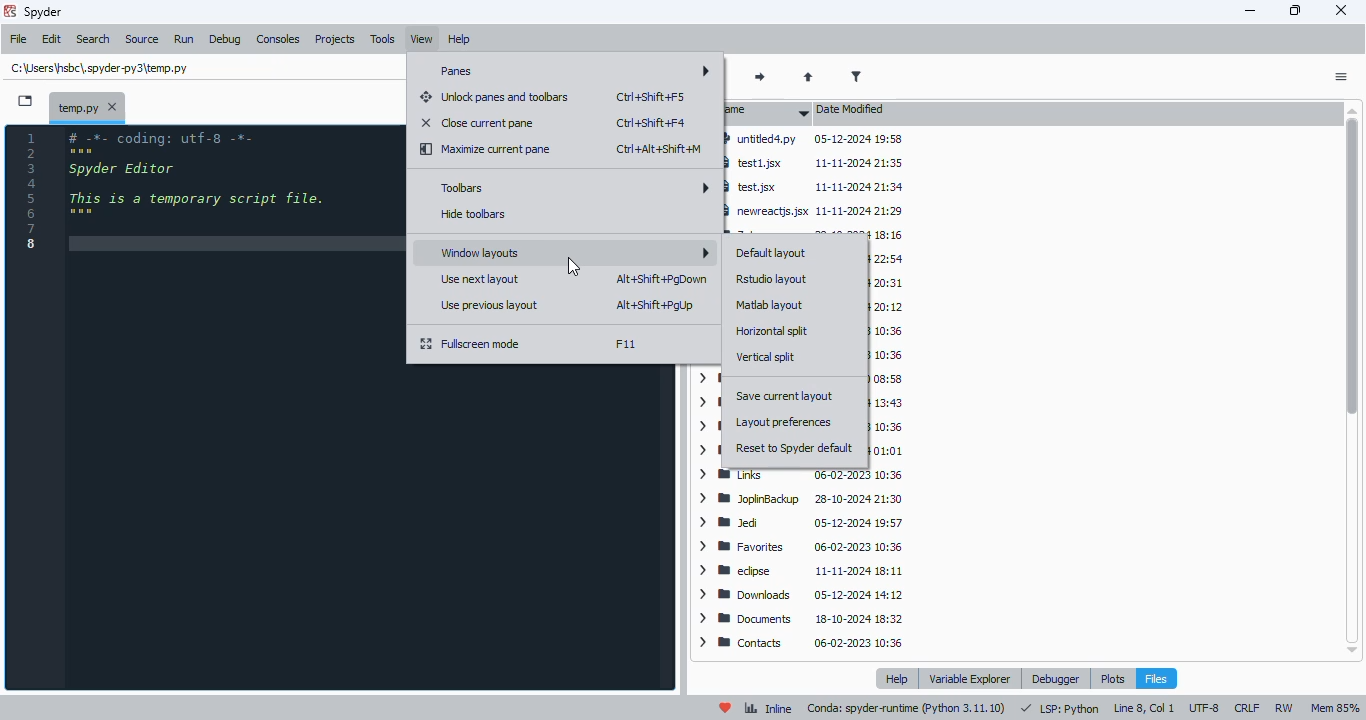 This screenshot has height=720, width=1366. What do you see at coordinates (1284, 707) in the screenshot?
I see `RW` at bounding box center [1284, 707].